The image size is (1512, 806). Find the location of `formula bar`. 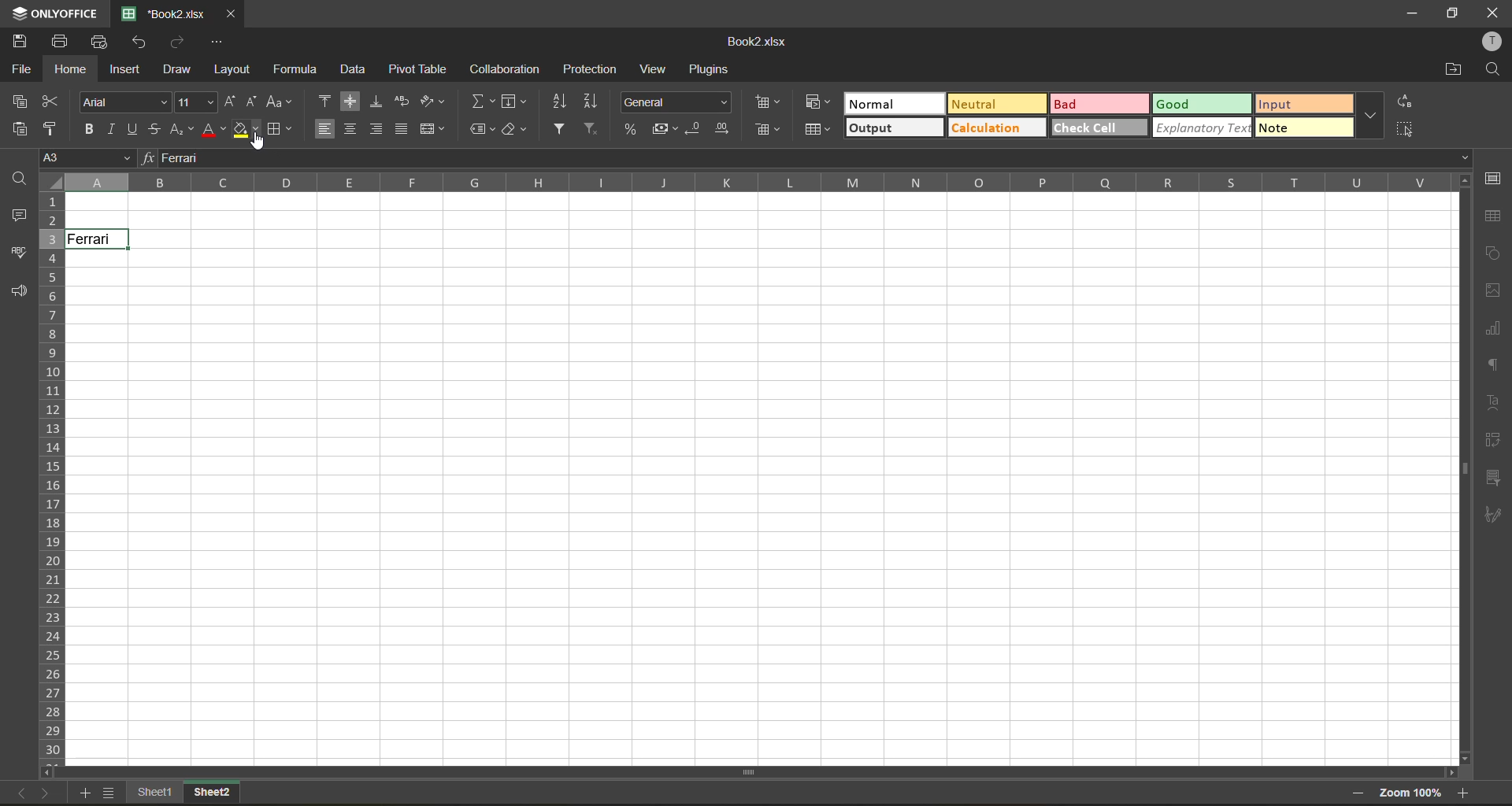

formula bar is located at coordinates (809, 157).